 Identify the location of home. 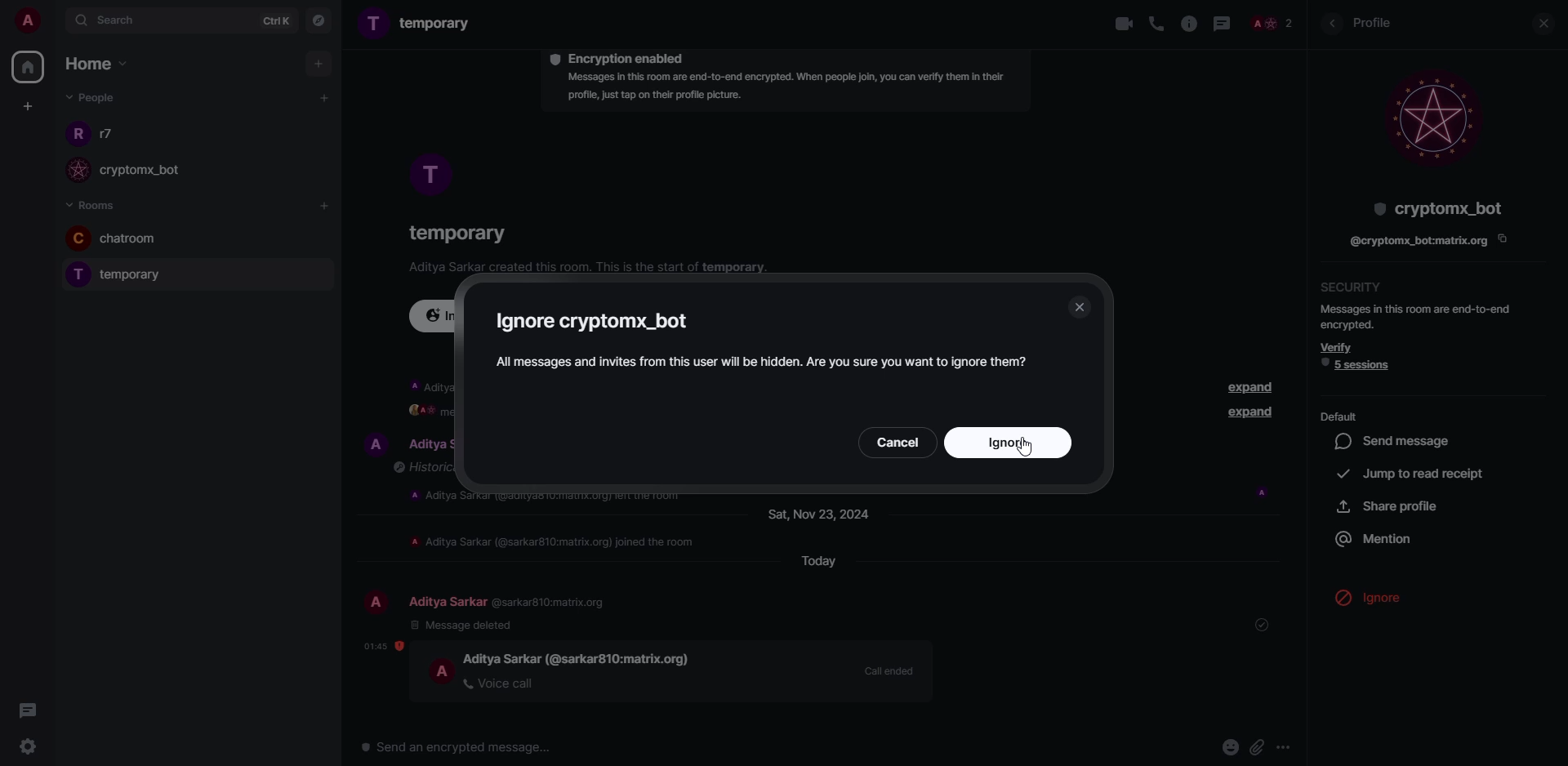
(95, 62).